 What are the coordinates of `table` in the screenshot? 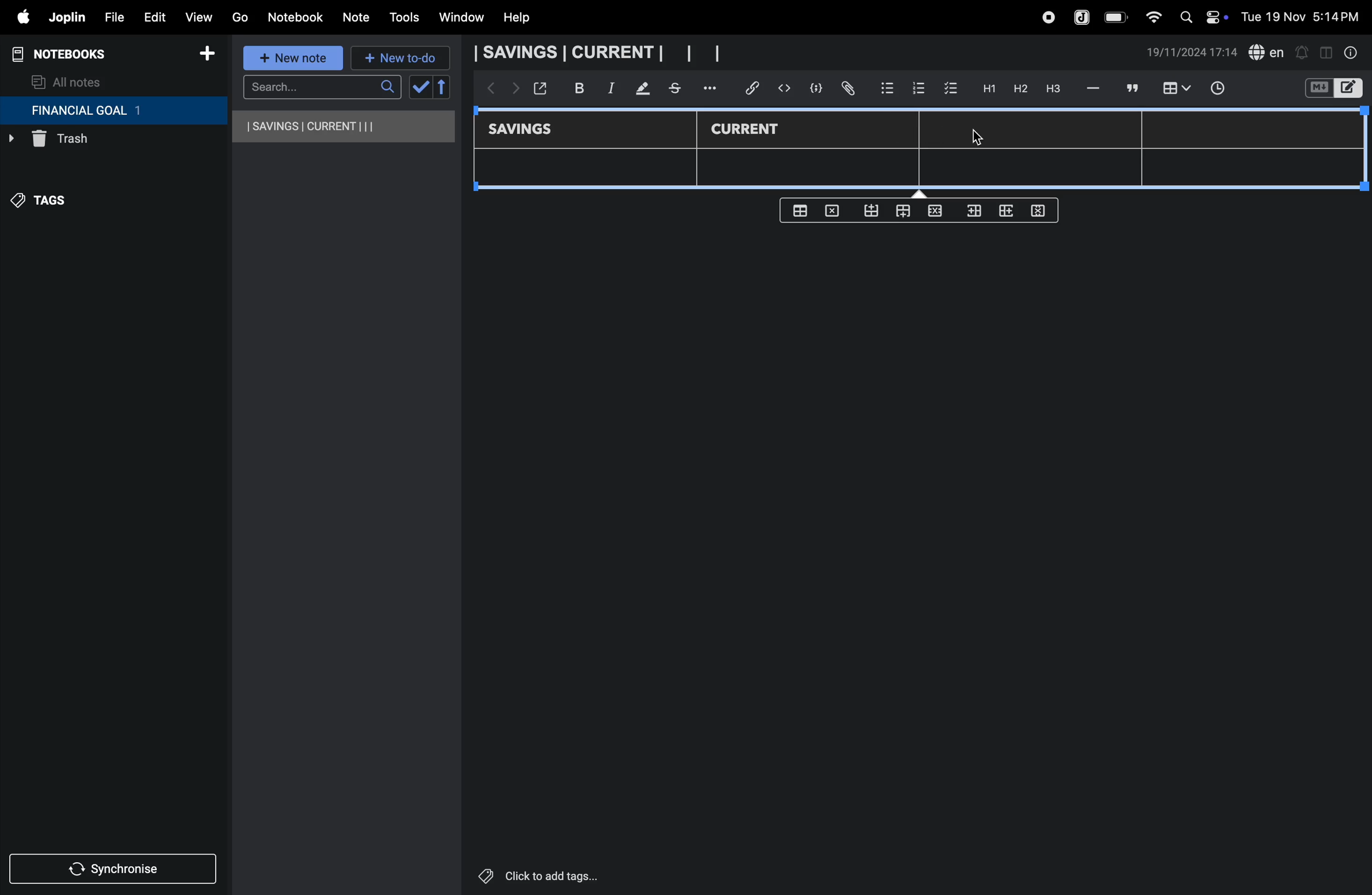 It's located at (924, 170).